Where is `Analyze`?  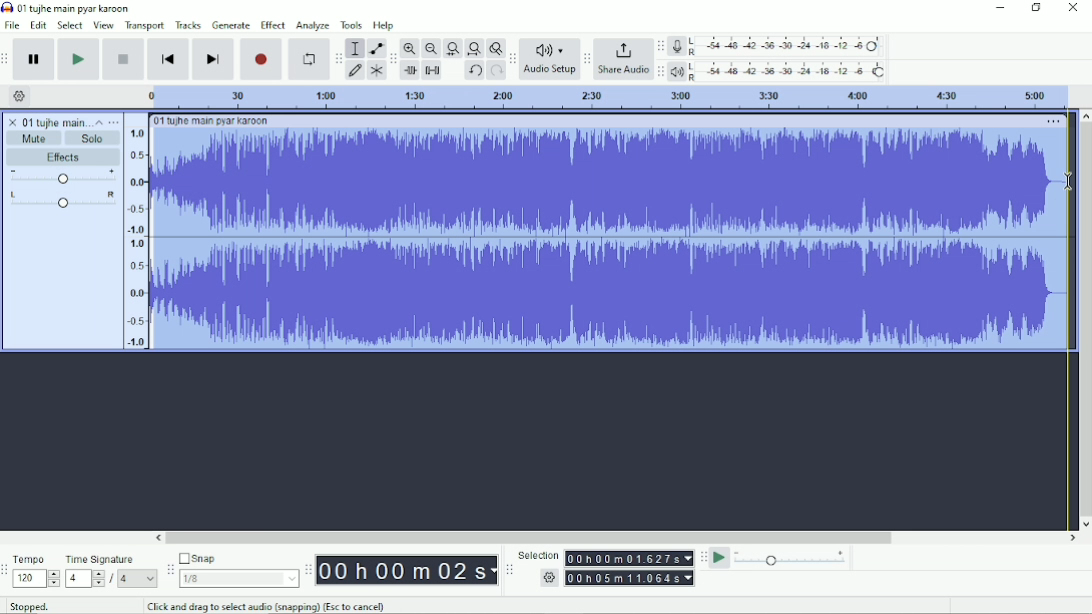
Analyze is located at coordinates (313, 25).